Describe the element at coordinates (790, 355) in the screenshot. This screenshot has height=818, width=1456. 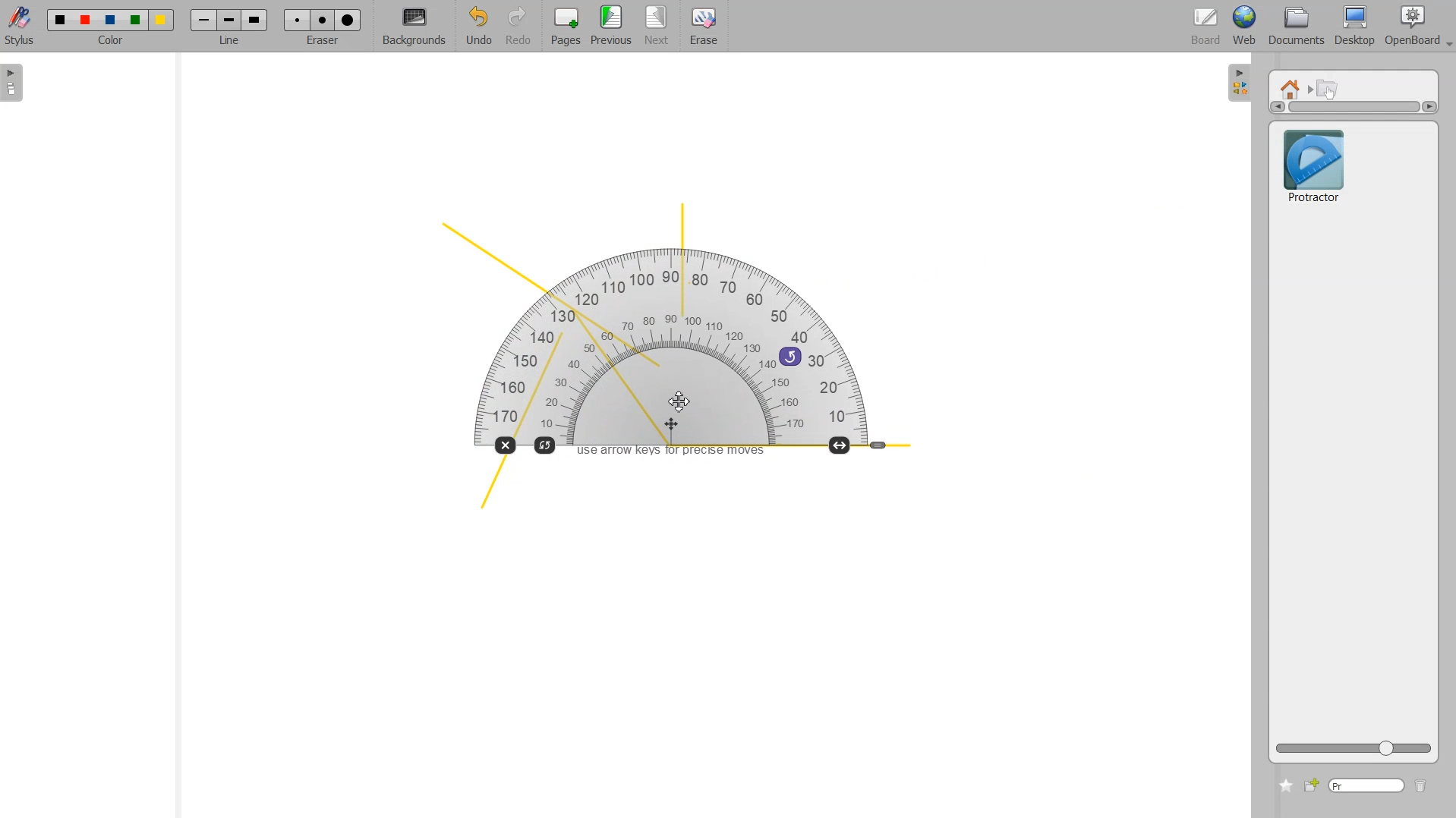
I see `undo` at that location.